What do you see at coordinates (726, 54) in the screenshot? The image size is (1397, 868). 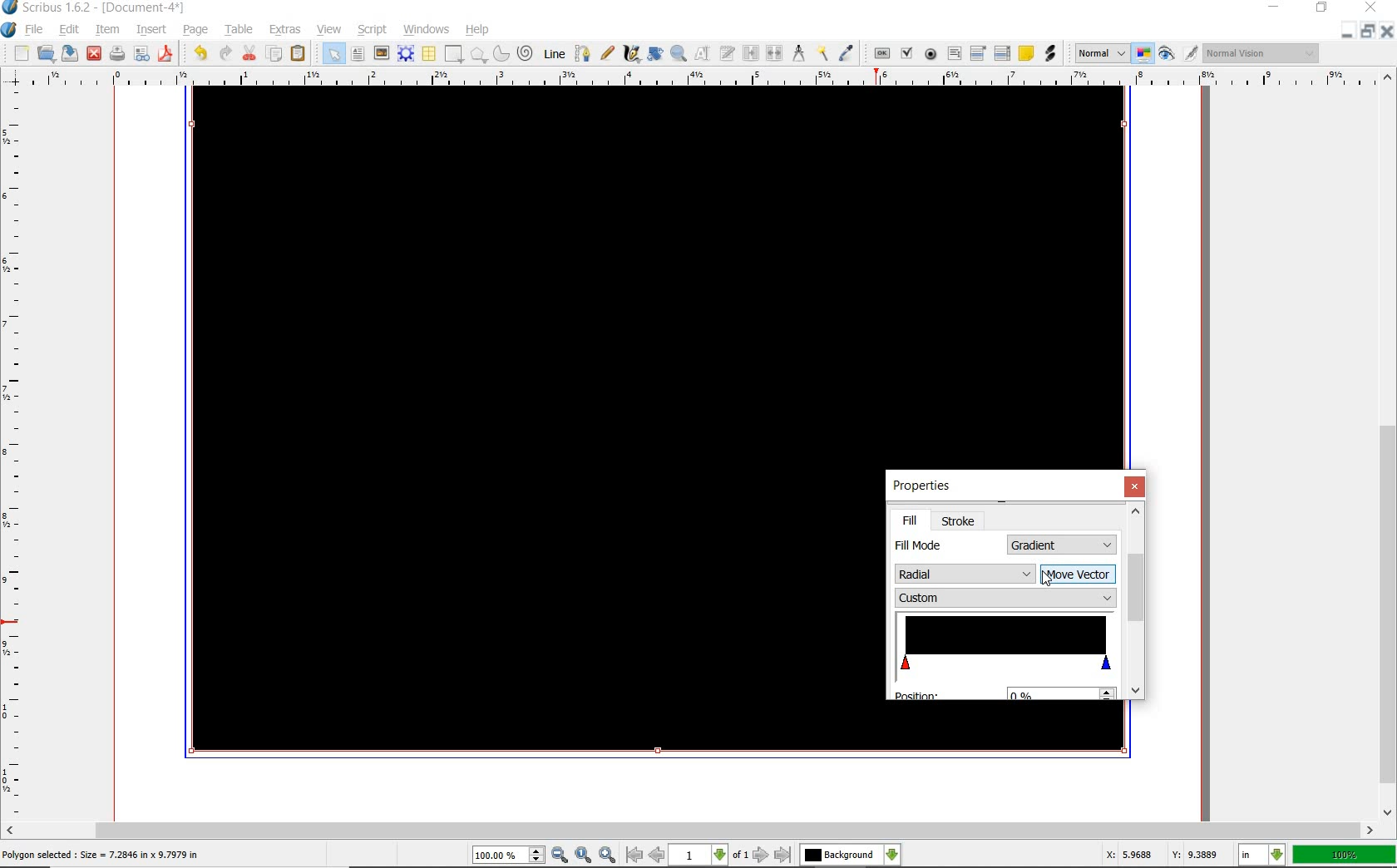 I see `edit text with story editor` at bounding box center [726, 54].